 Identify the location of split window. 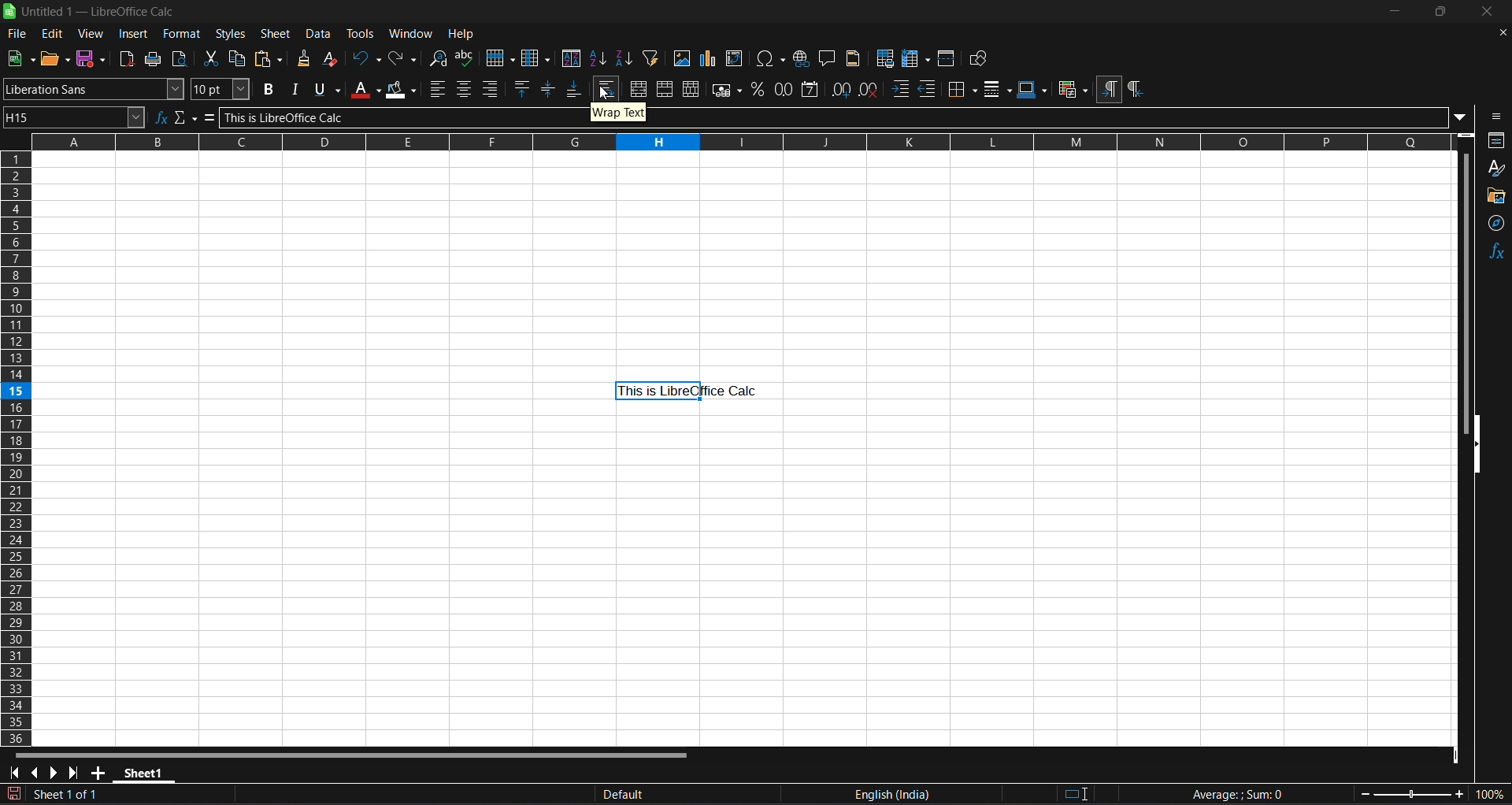
(947, 58).